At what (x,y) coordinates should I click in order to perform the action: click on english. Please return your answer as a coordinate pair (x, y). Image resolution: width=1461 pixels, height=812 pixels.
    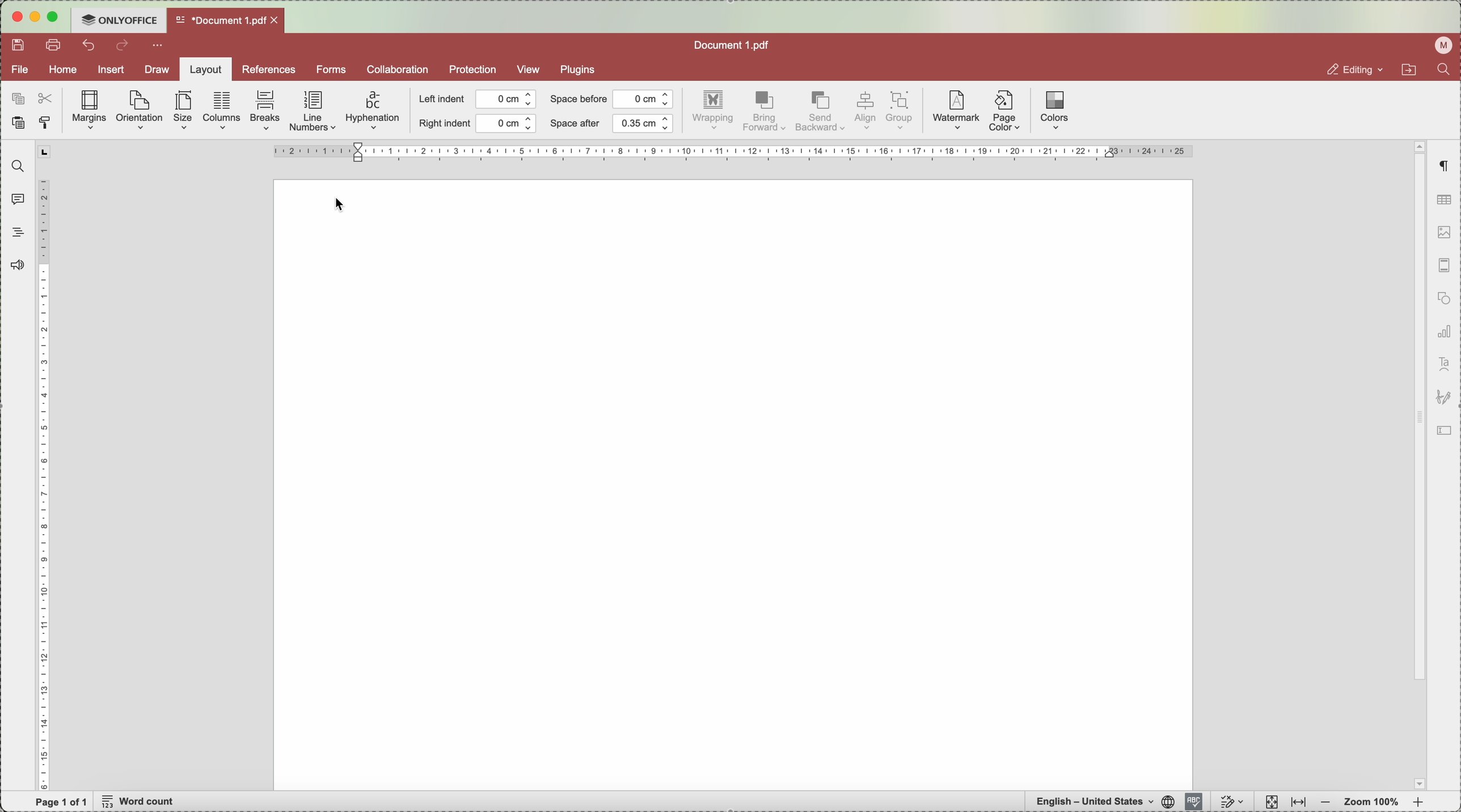
    Looking at the image, I should click on (1101, 801).